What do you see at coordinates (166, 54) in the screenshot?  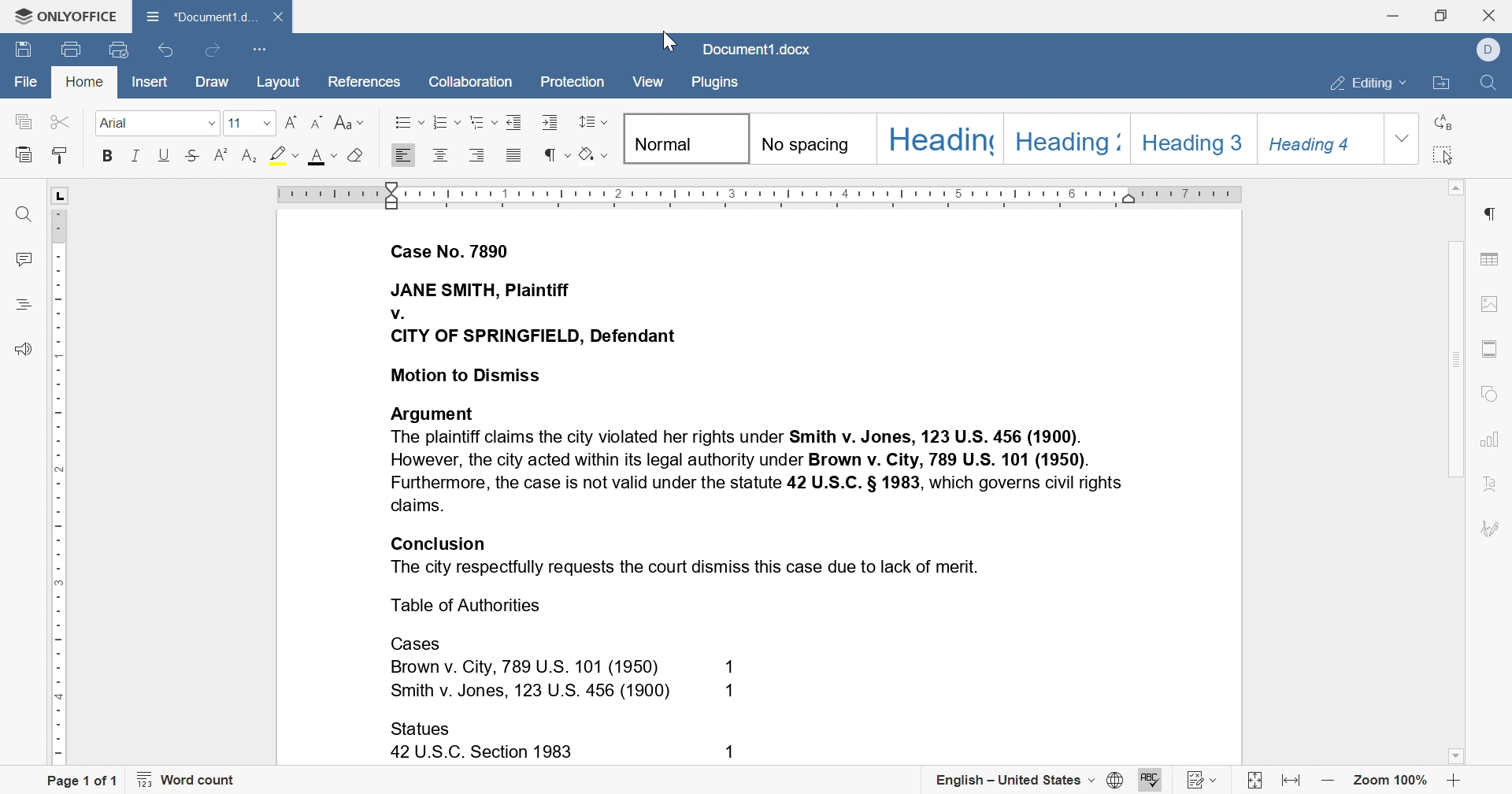 I see `undo` at bounding box center [166, 54].